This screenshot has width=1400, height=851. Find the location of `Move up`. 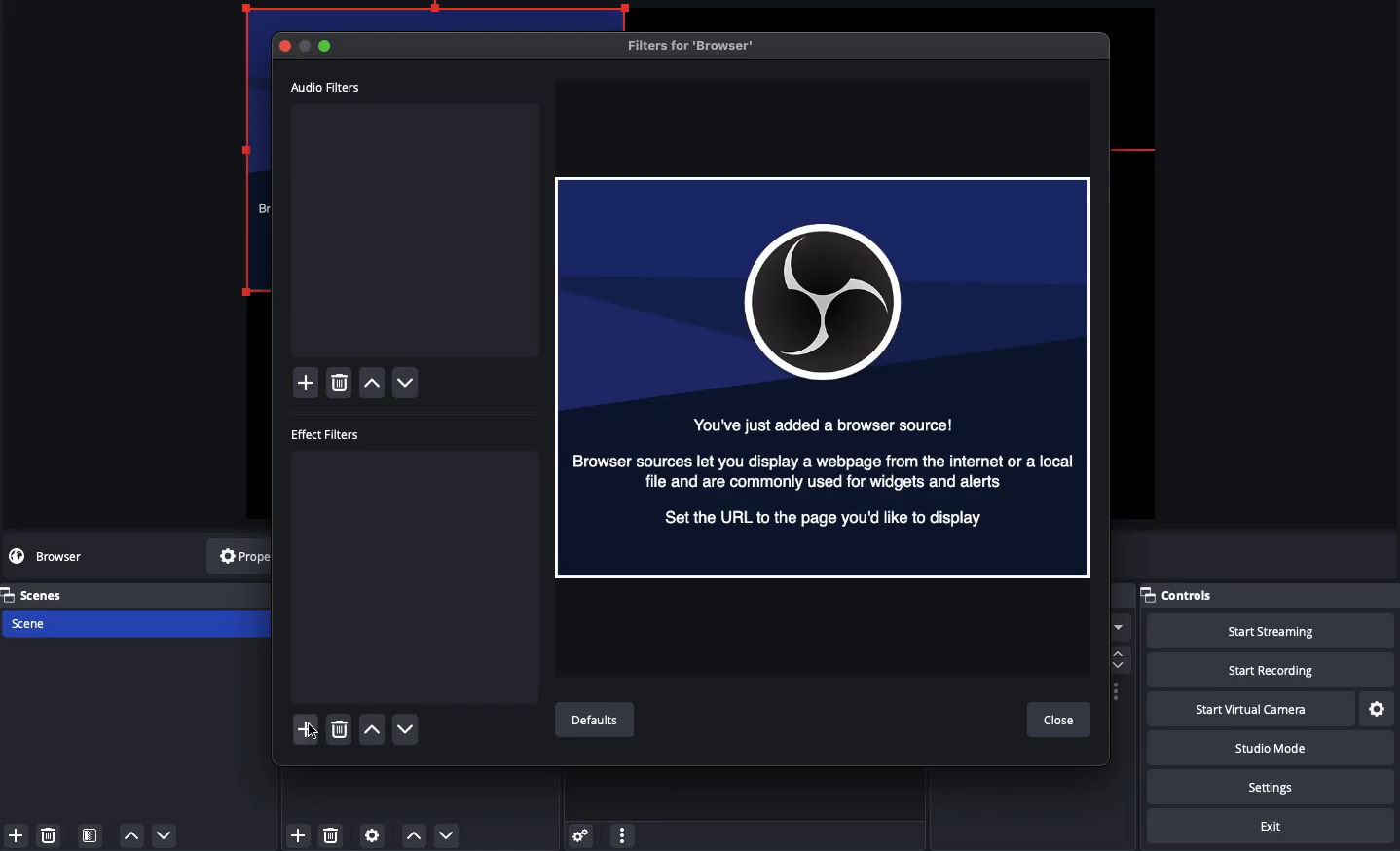

Move up is located at coordinates (413, 837).